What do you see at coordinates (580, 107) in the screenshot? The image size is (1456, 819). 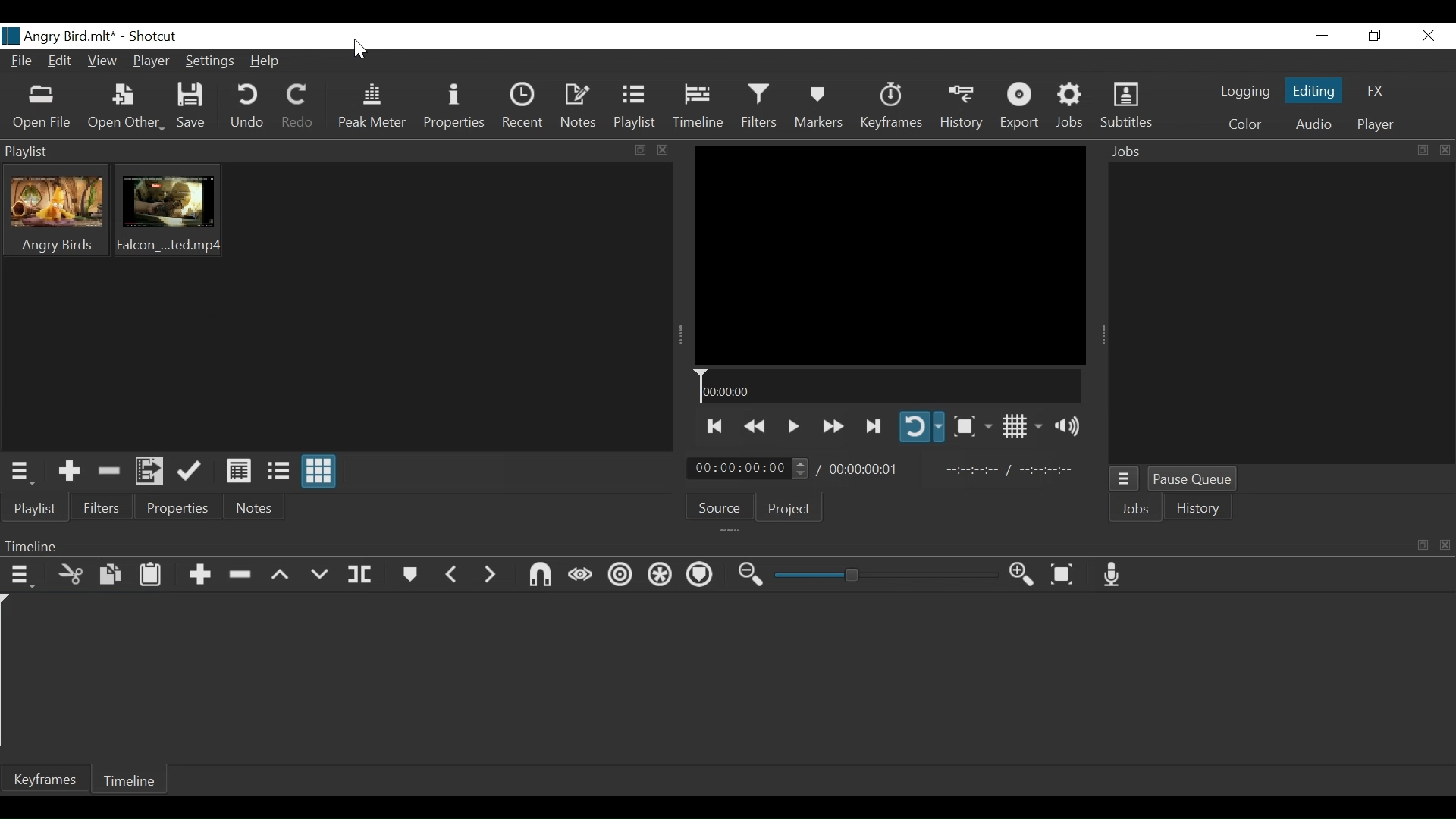 I see `` at bounding box center [580, 107].